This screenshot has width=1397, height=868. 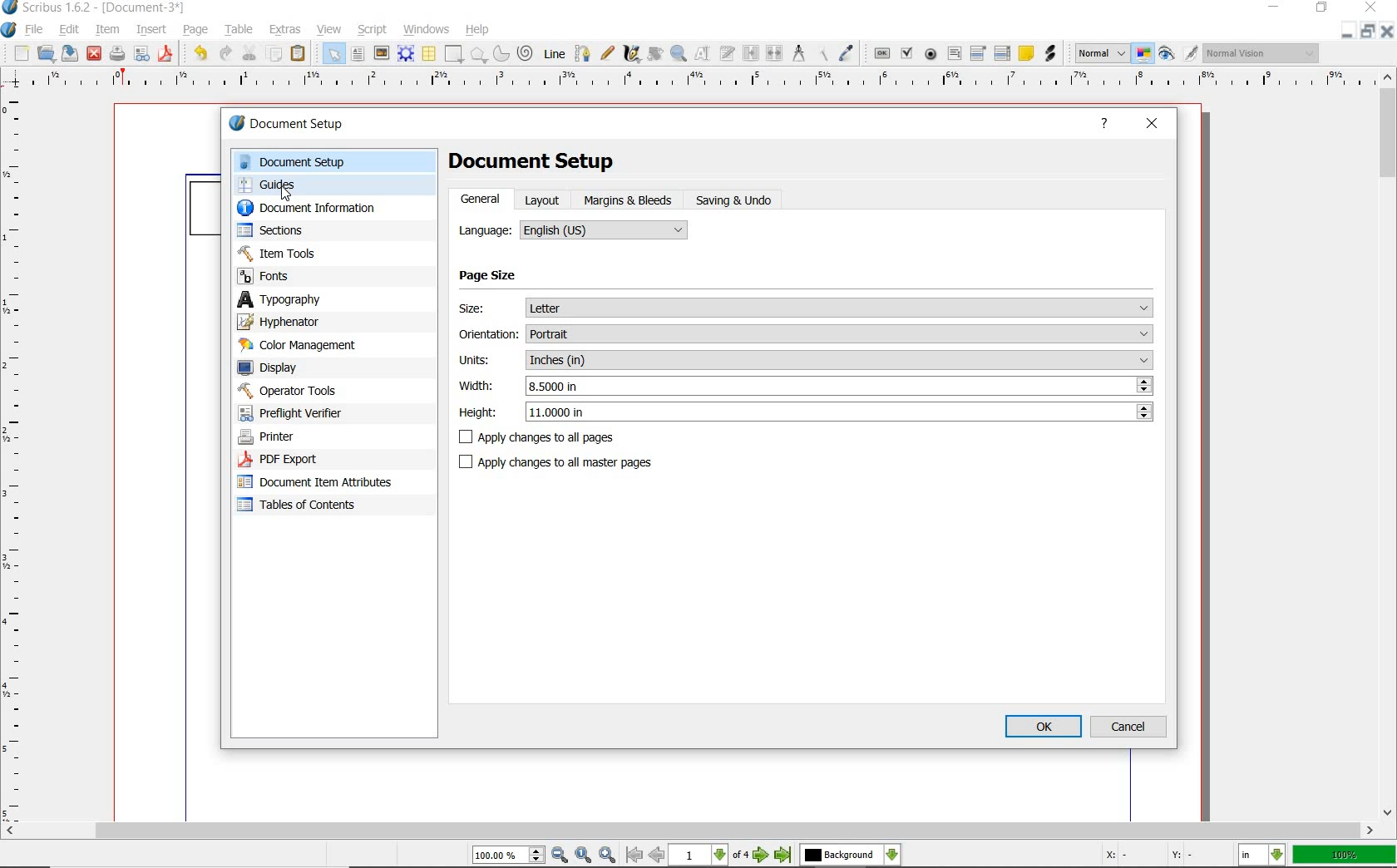 What do you see at coordinates (358, 56) in the screenshot?
I see `text frame` at bounding box center [358, 56].